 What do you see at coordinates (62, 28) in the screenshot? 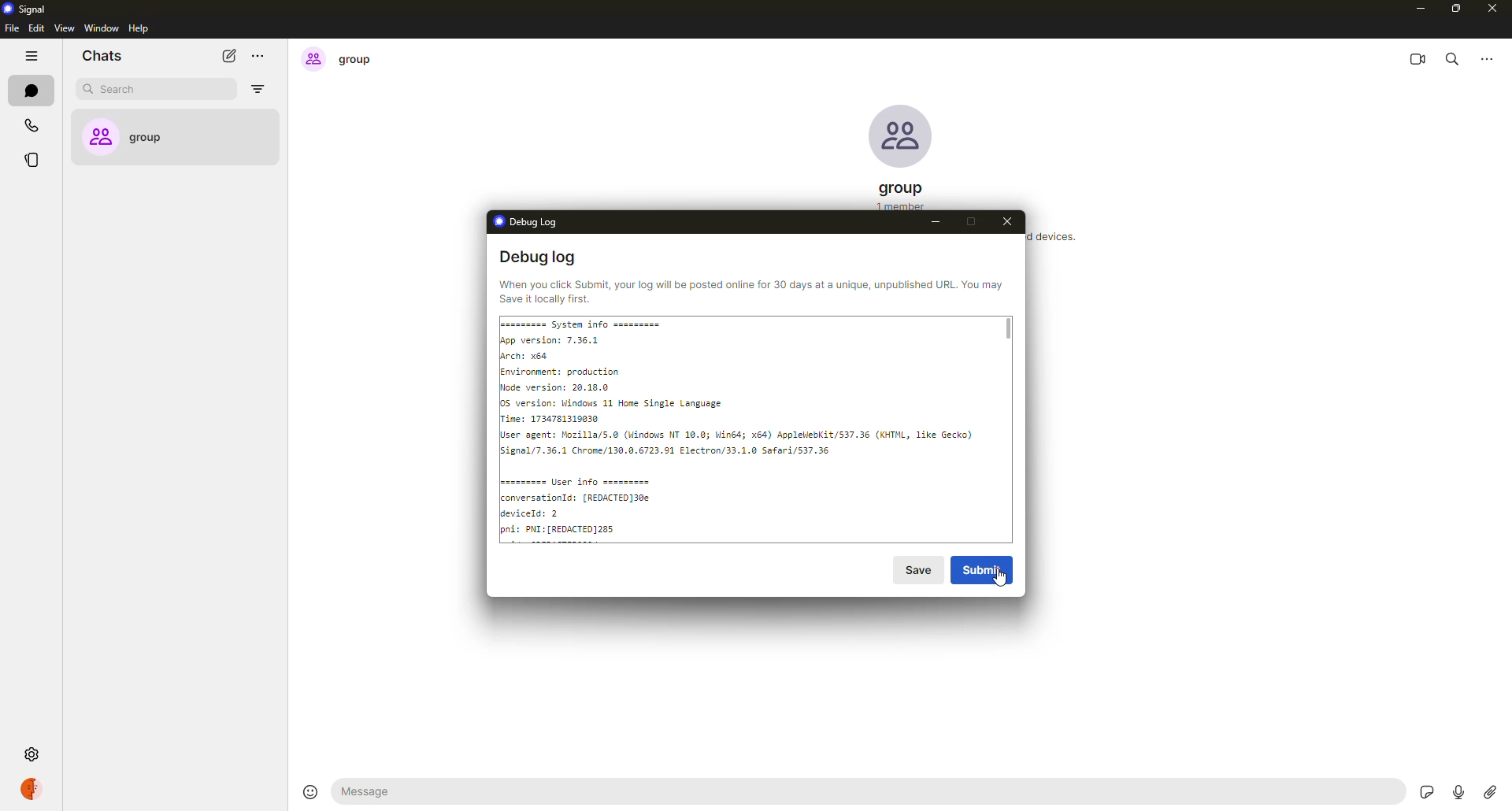
I see `view` at bounding box center [62, 28].